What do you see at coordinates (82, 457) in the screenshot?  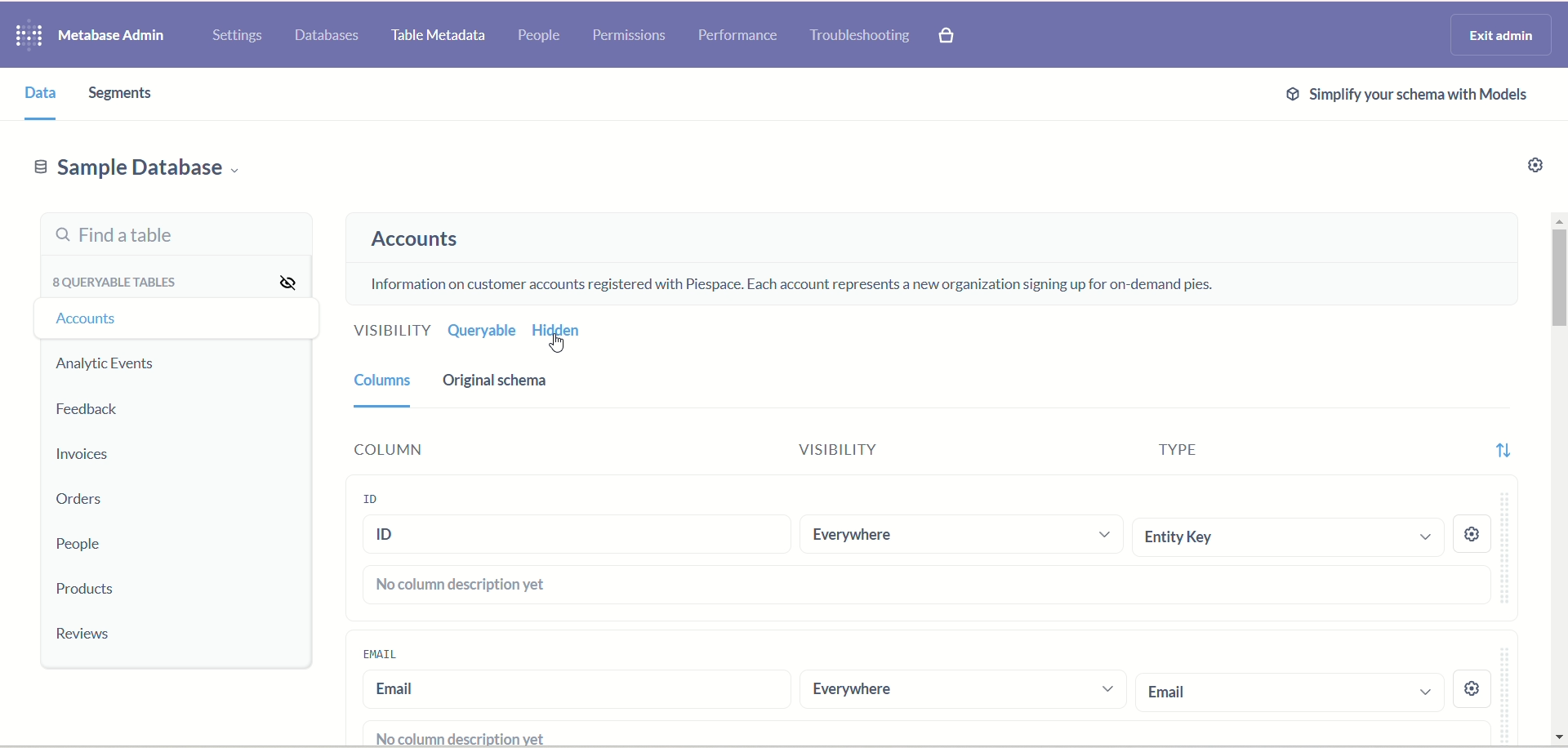 I see `invoices` at bounding box center [82, 457].